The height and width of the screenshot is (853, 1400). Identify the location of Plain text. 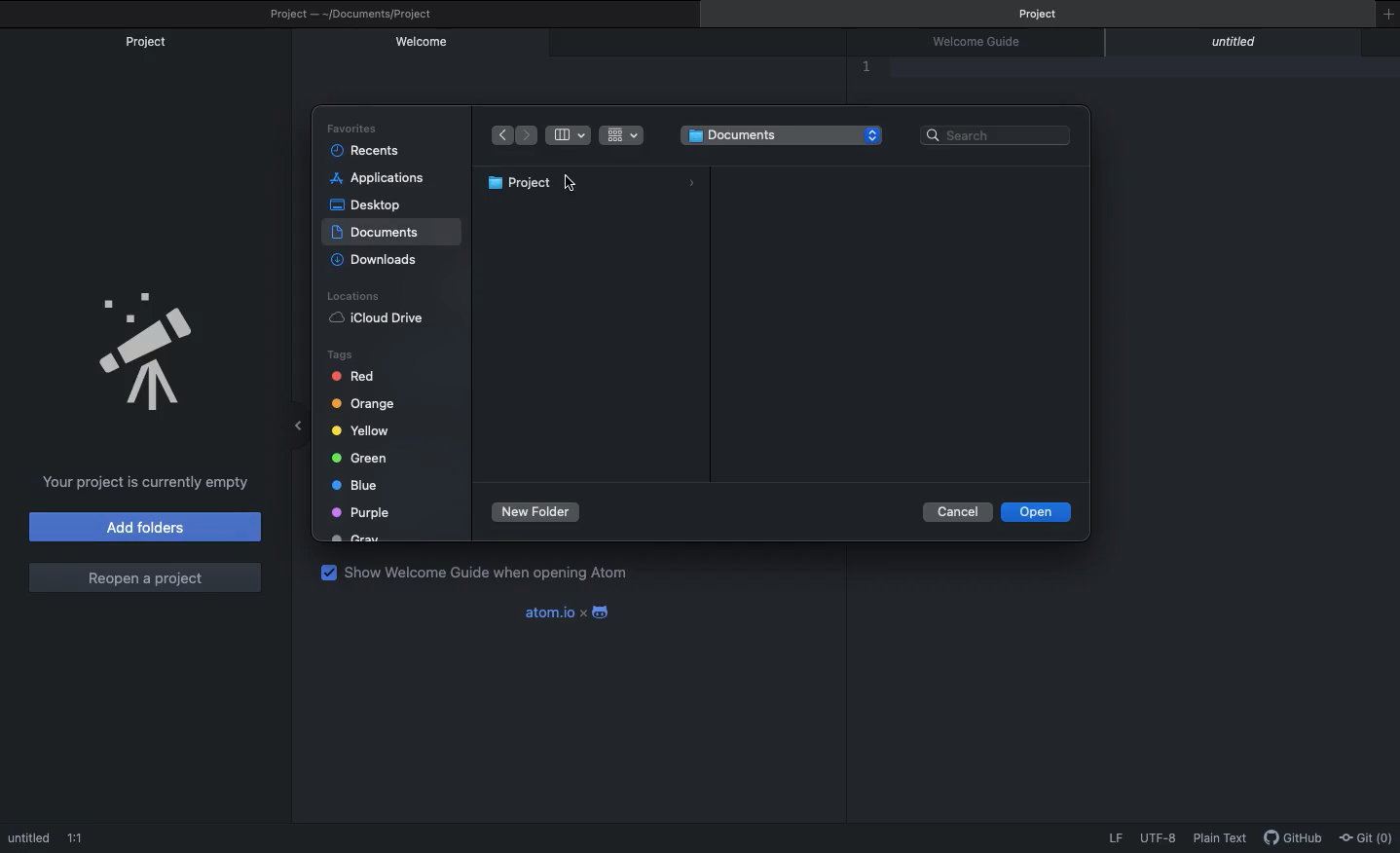
(1224, 839).